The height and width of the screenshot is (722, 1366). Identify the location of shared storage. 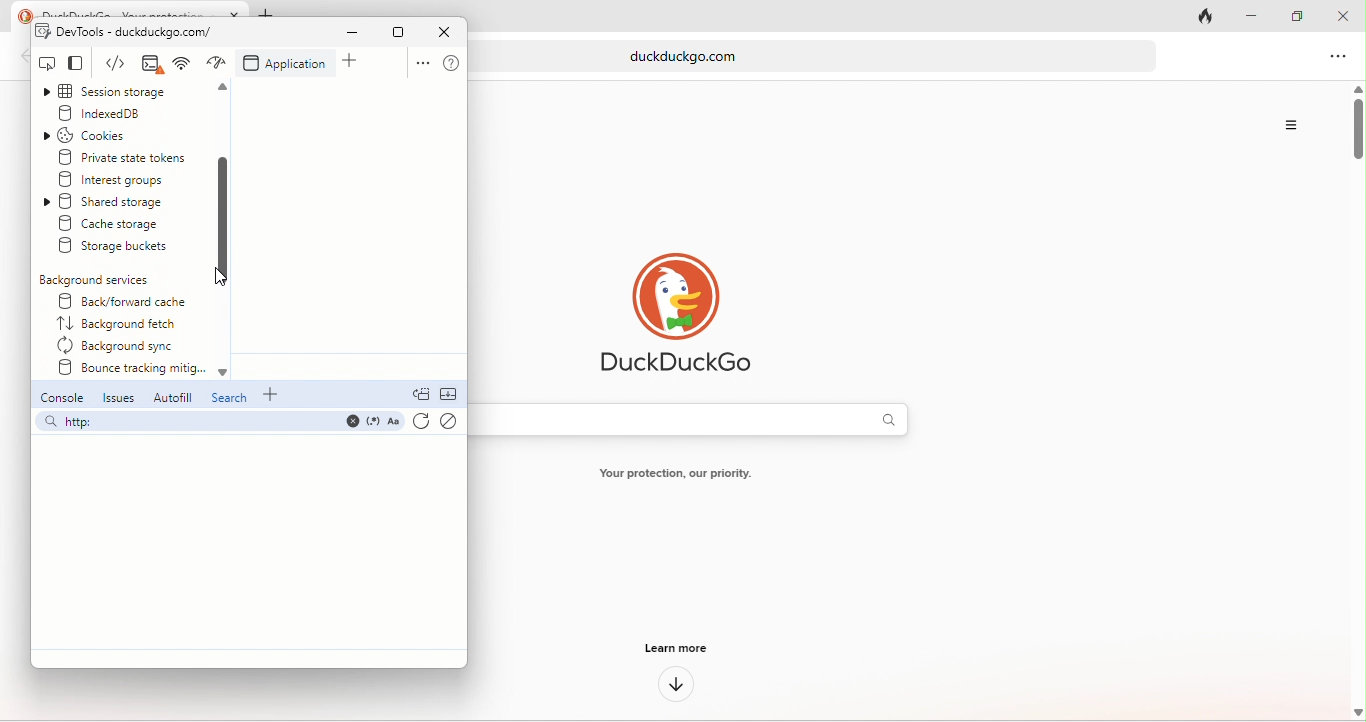
(124, 200).